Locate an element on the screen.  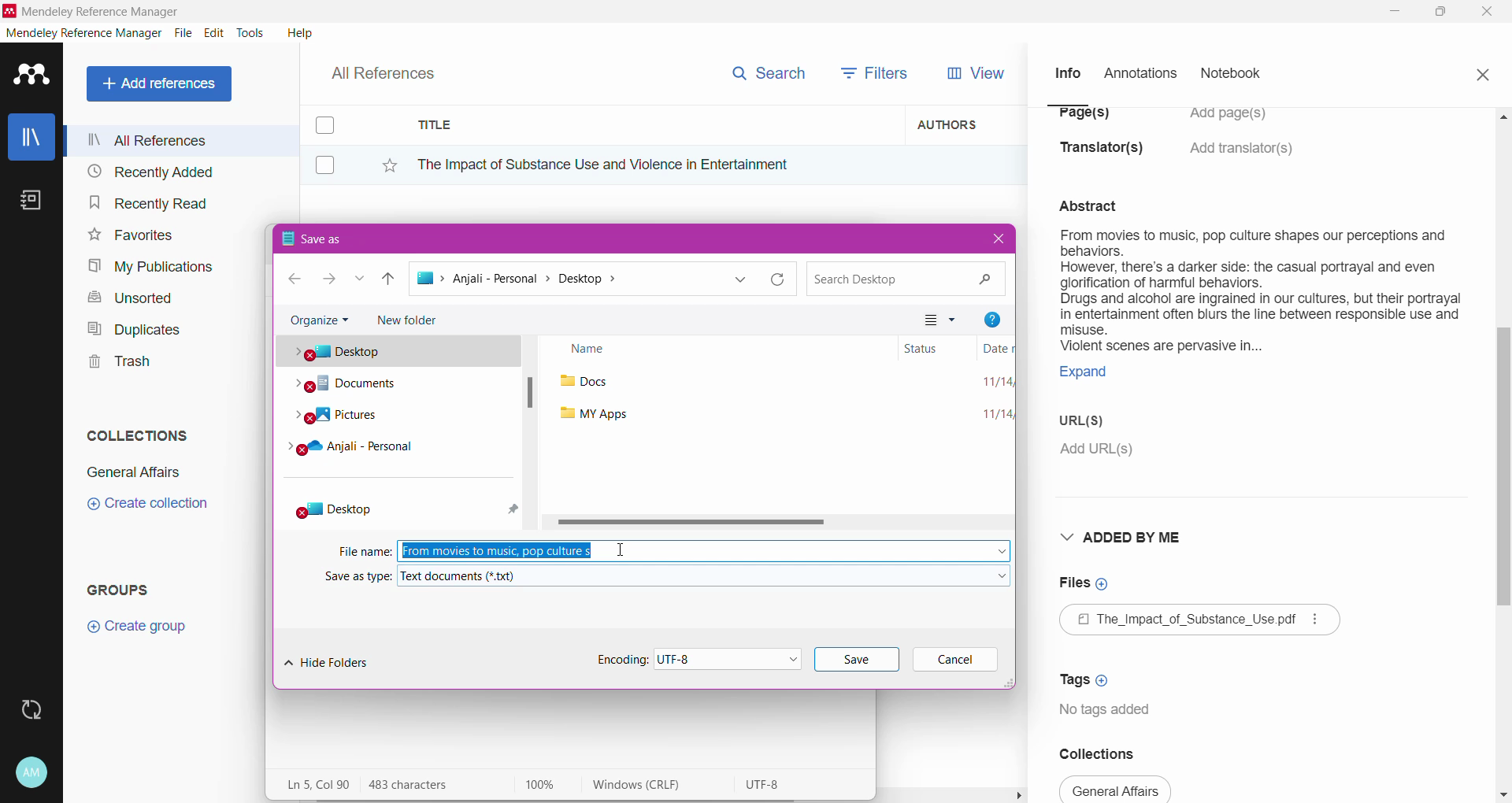
Move up one path back is located at coordinates (391, 282).